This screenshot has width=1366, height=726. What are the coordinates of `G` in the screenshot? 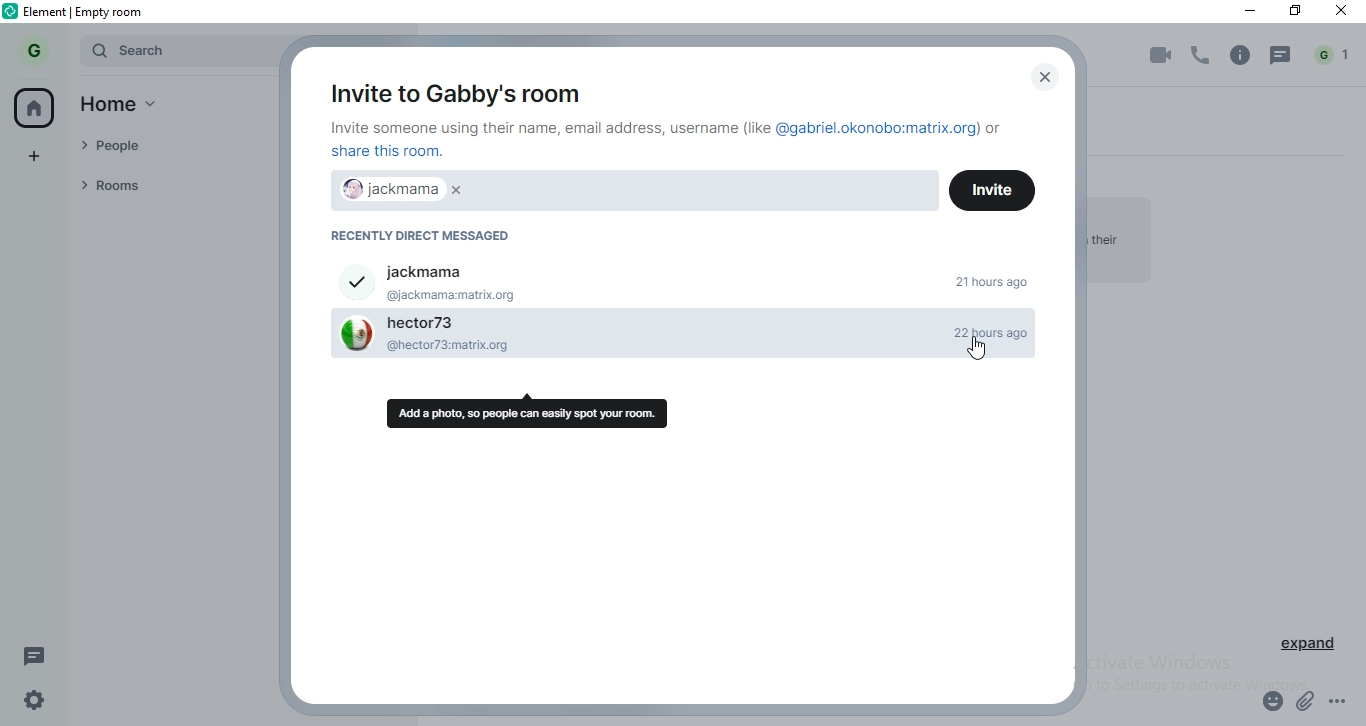 It's located at (37, 50).